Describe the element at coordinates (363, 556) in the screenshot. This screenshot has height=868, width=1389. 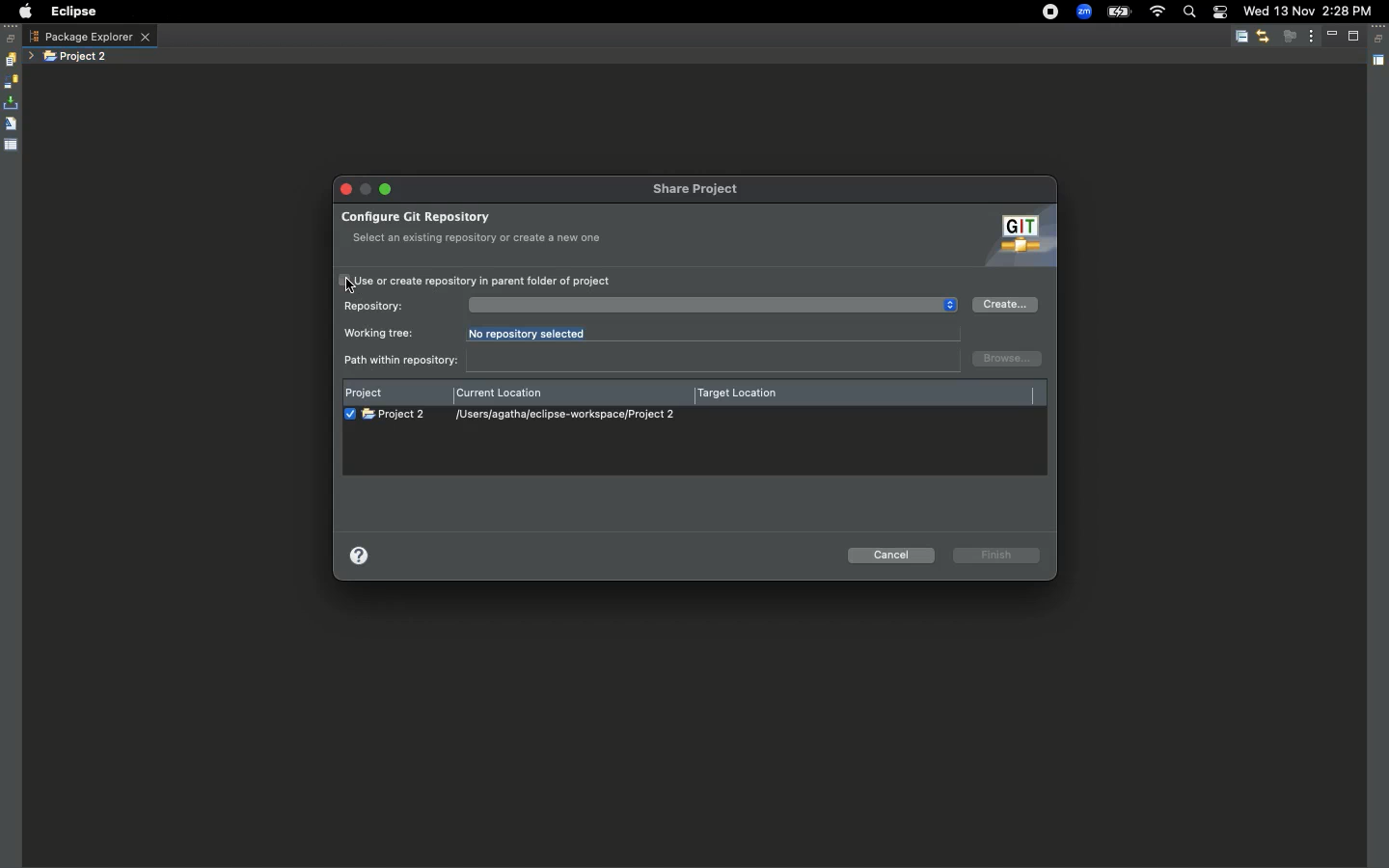
I see `Help` at that location.